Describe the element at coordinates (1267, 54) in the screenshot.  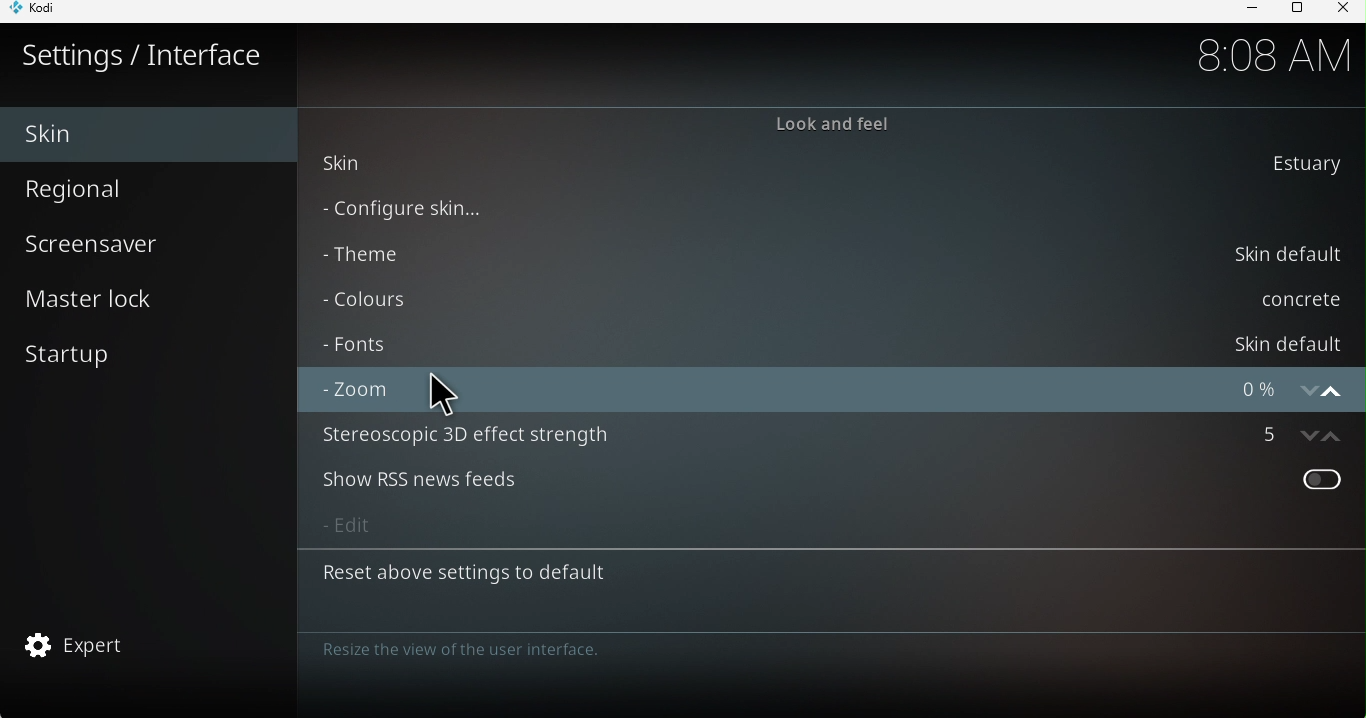
I see `time` at that location.